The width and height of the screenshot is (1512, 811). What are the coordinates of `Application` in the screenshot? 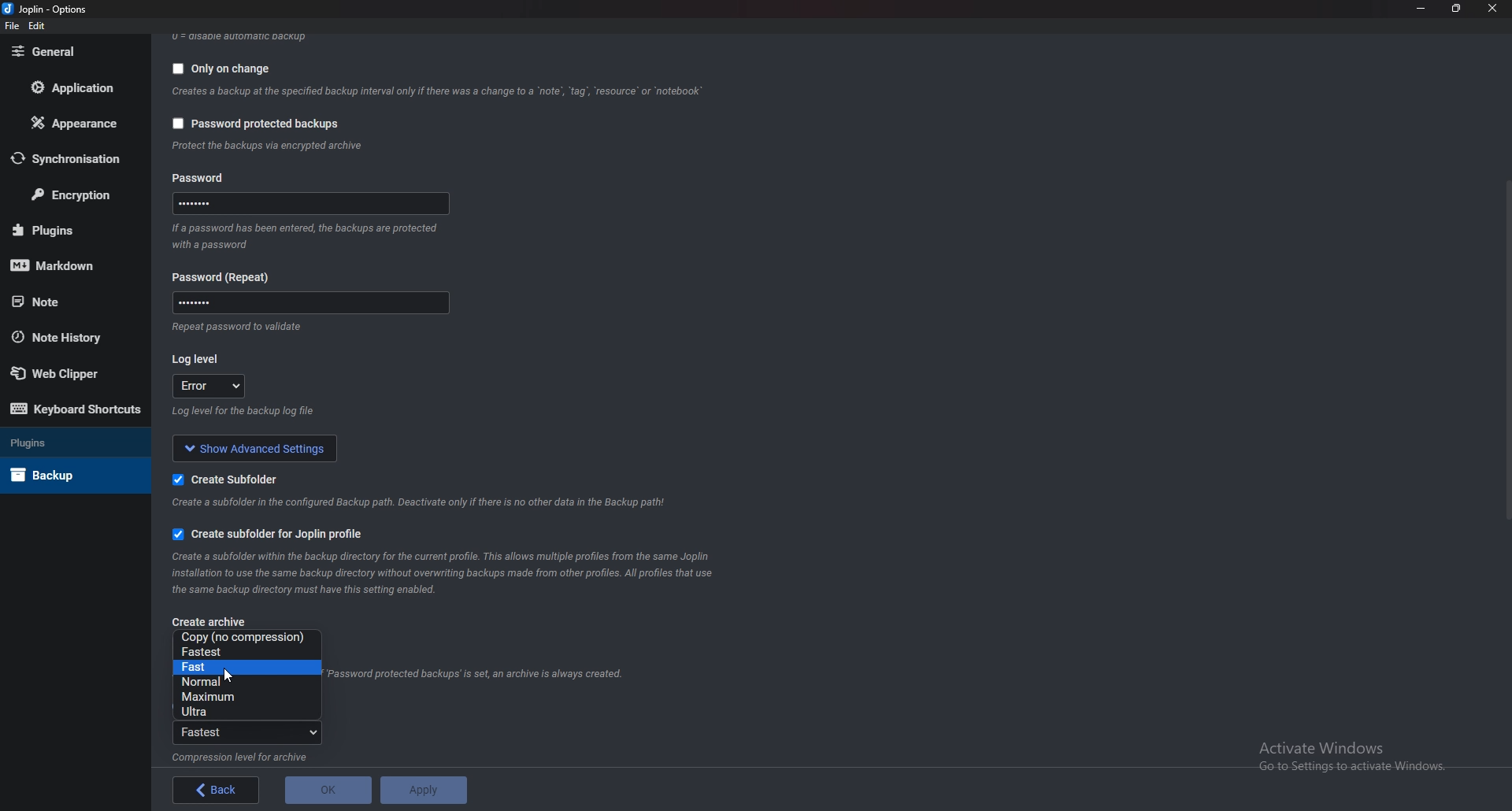 It's located at (80, 87).